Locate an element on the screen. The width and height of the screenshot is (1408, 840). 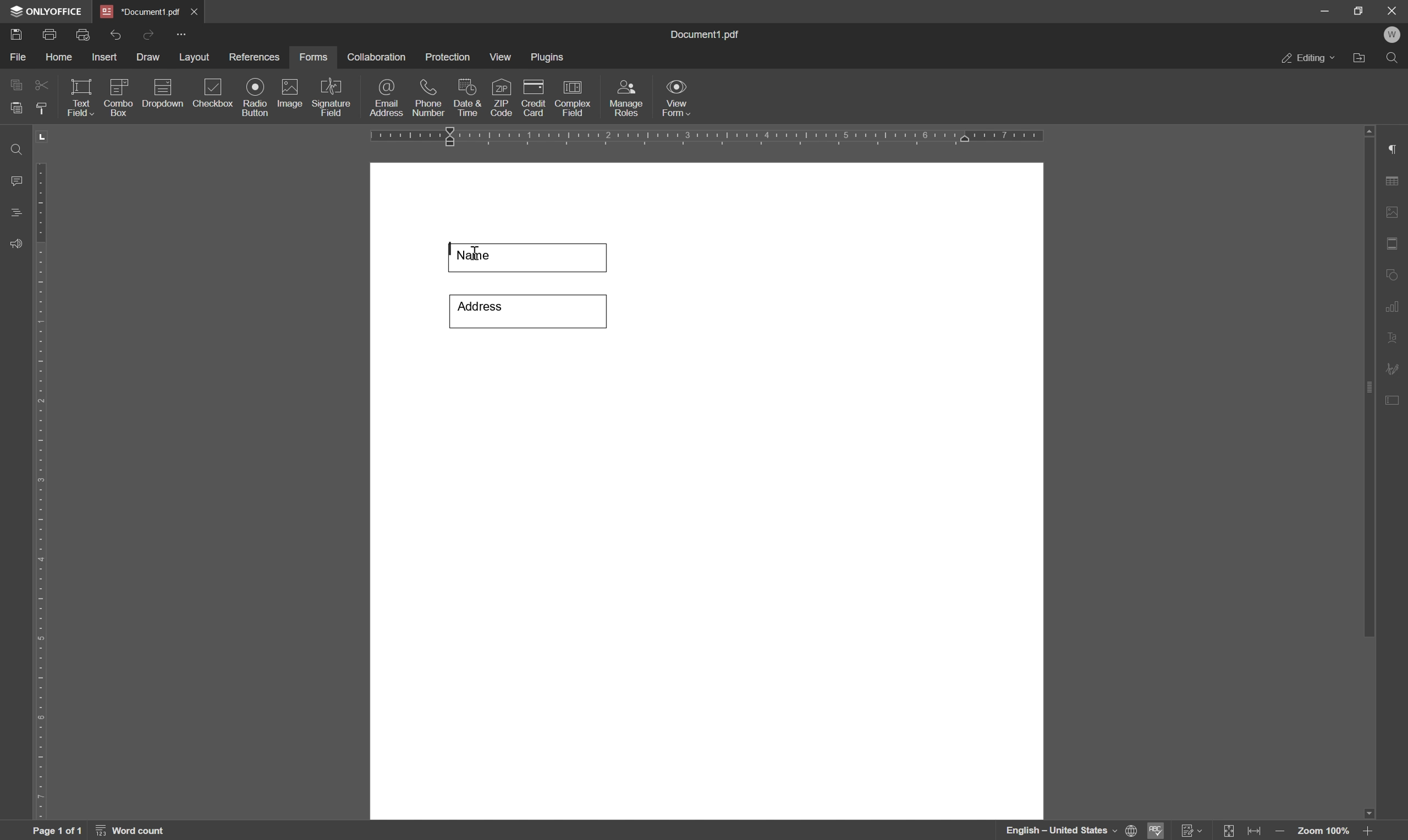
references is located at coordinates (254, 57).